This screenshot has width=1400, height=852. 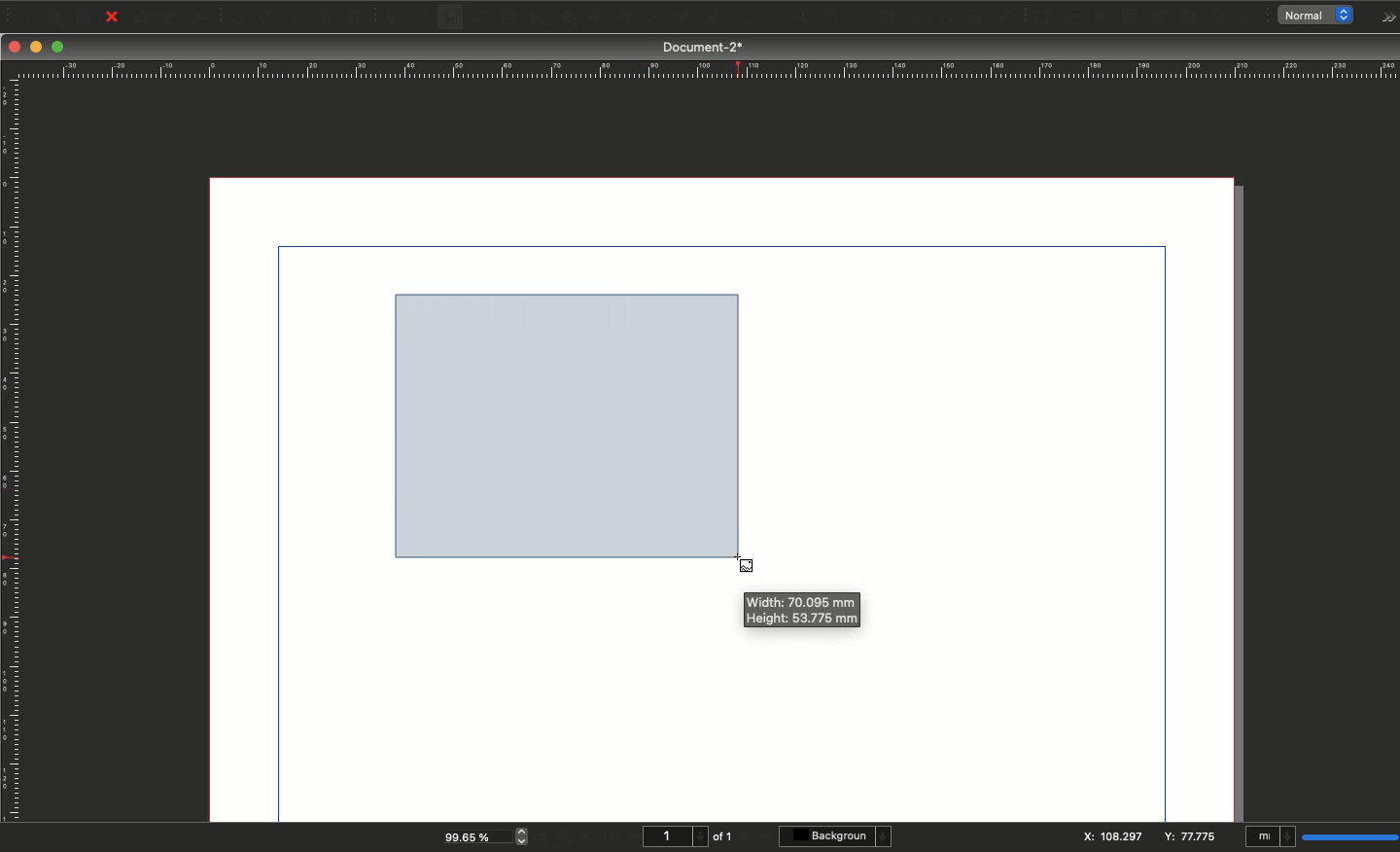 I want to click on Shape, so click(x=540, y=18).